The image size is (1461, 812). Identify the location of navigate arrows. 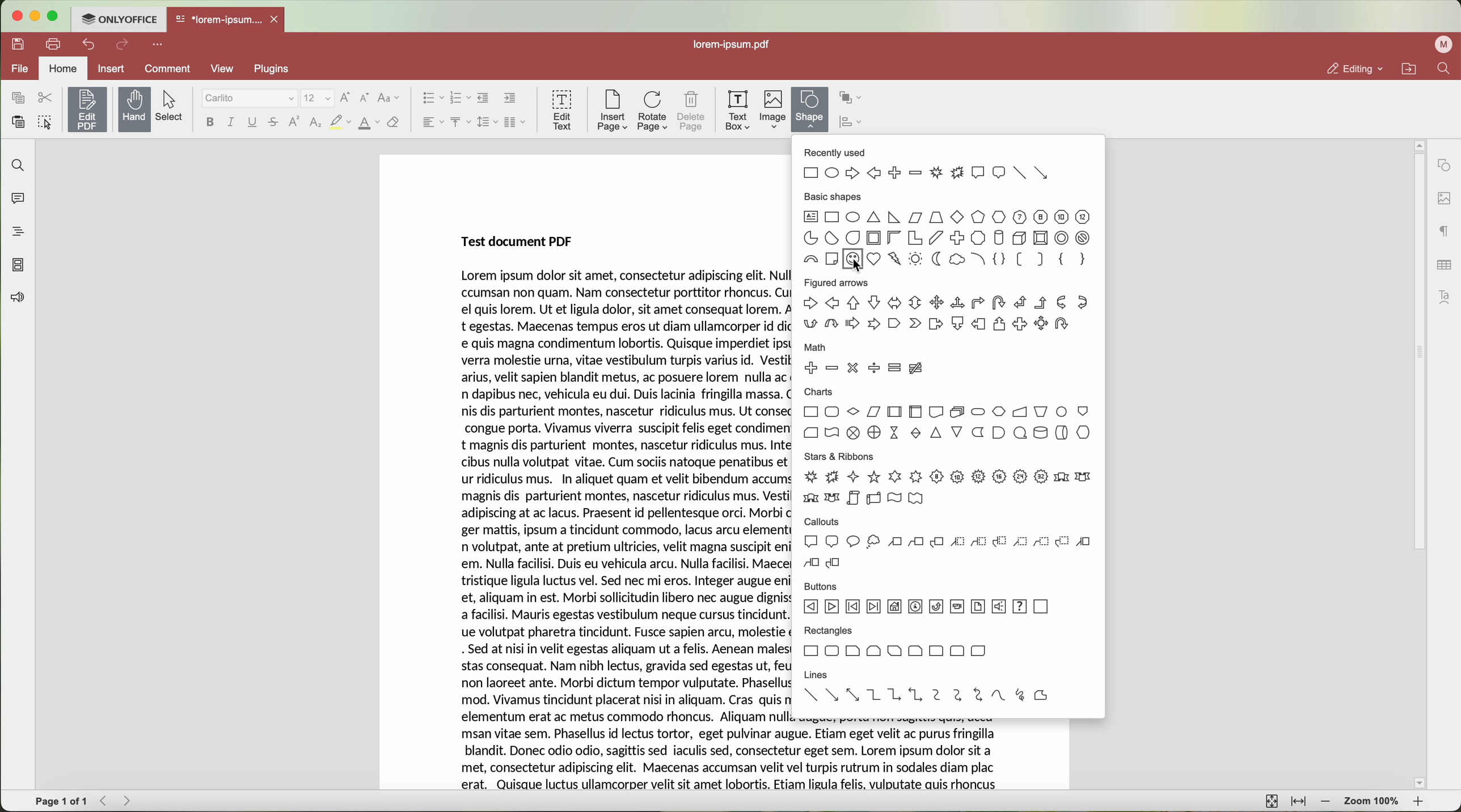
(118, 801).